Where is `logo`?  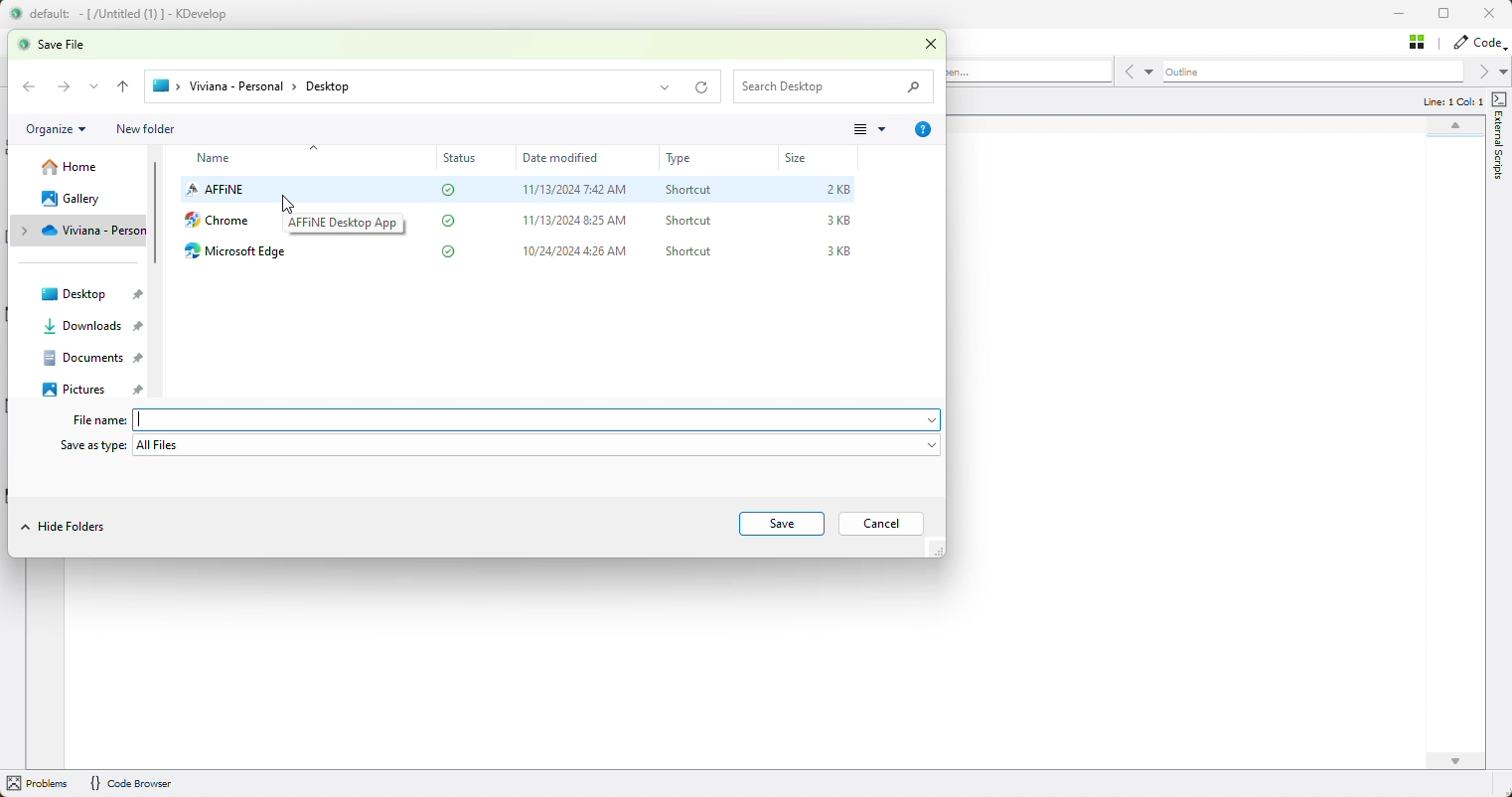
logo is located at coordinates (14, 15).